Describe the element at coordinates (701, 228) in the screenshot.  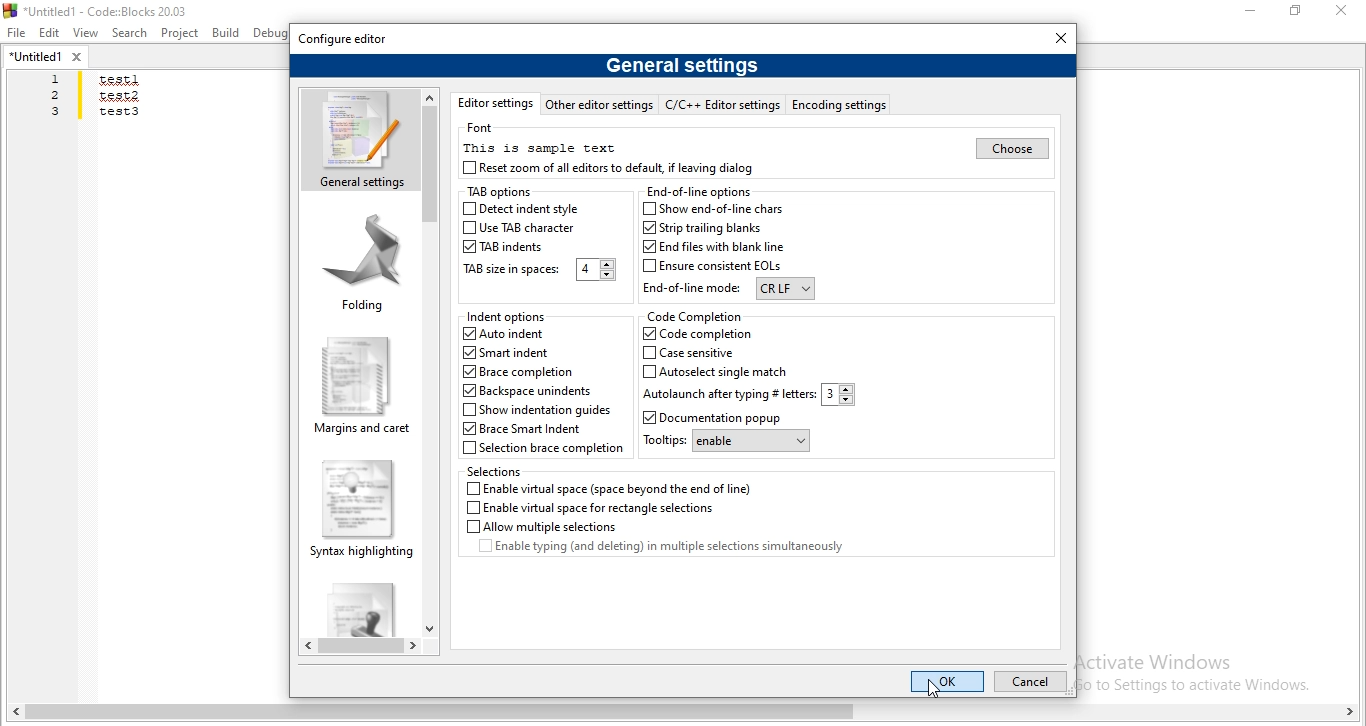
I see `Strip trailing blanks` at that location.